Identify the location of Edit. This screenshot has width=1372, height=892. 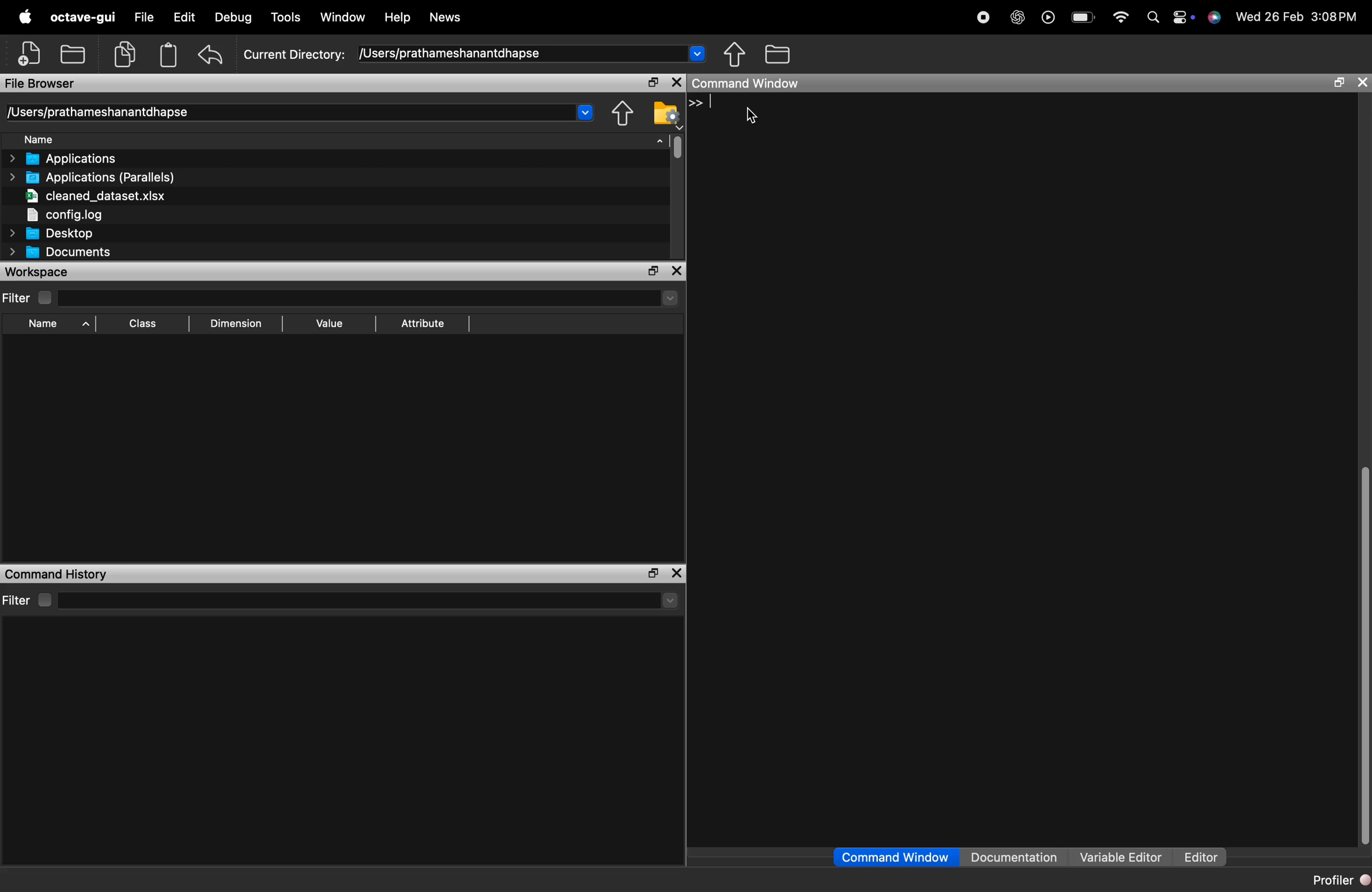
(180, 17).